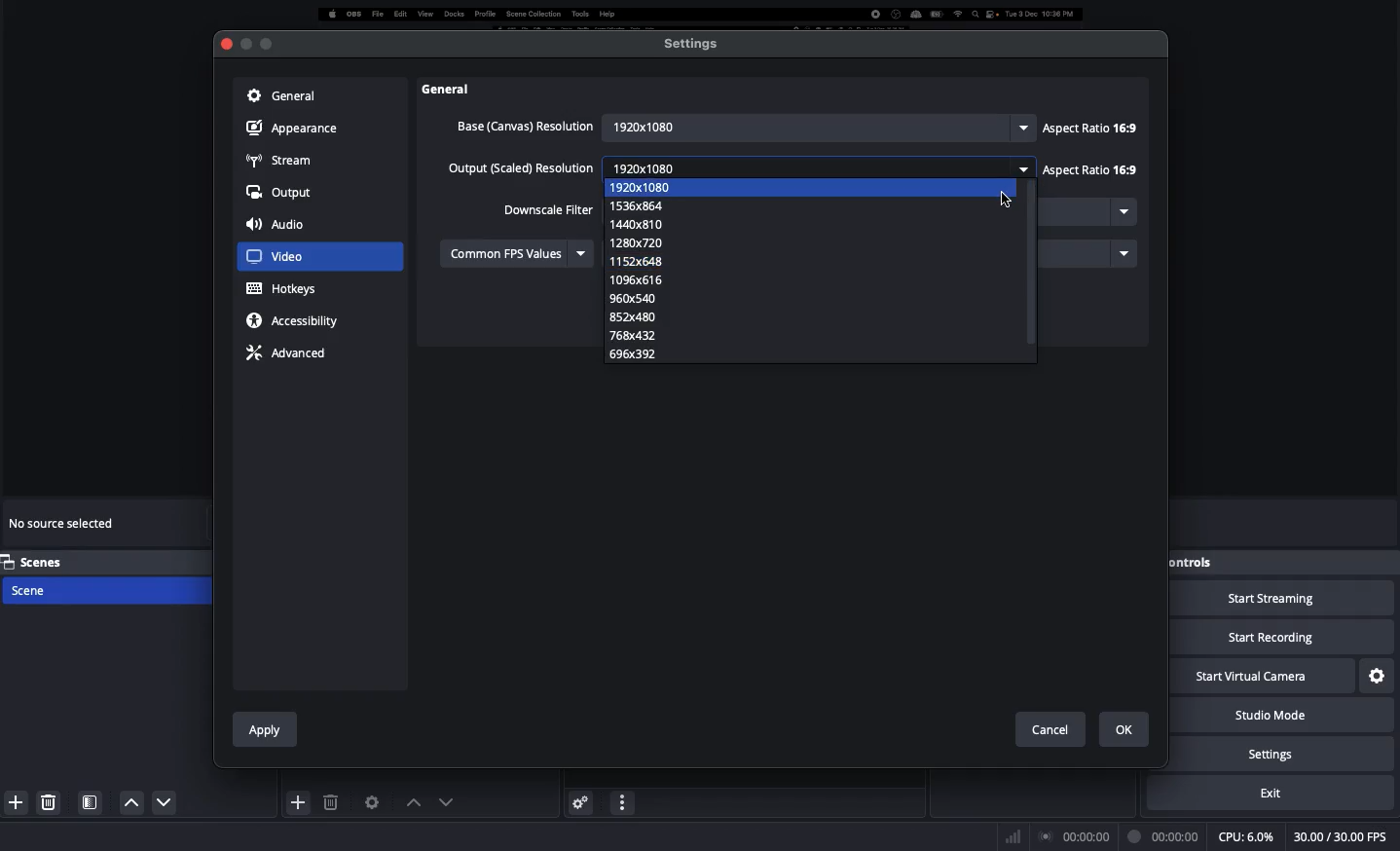 Image resolution: width=1400 pixels, height=851 pixels. I want to click on General, so click(279, 94).